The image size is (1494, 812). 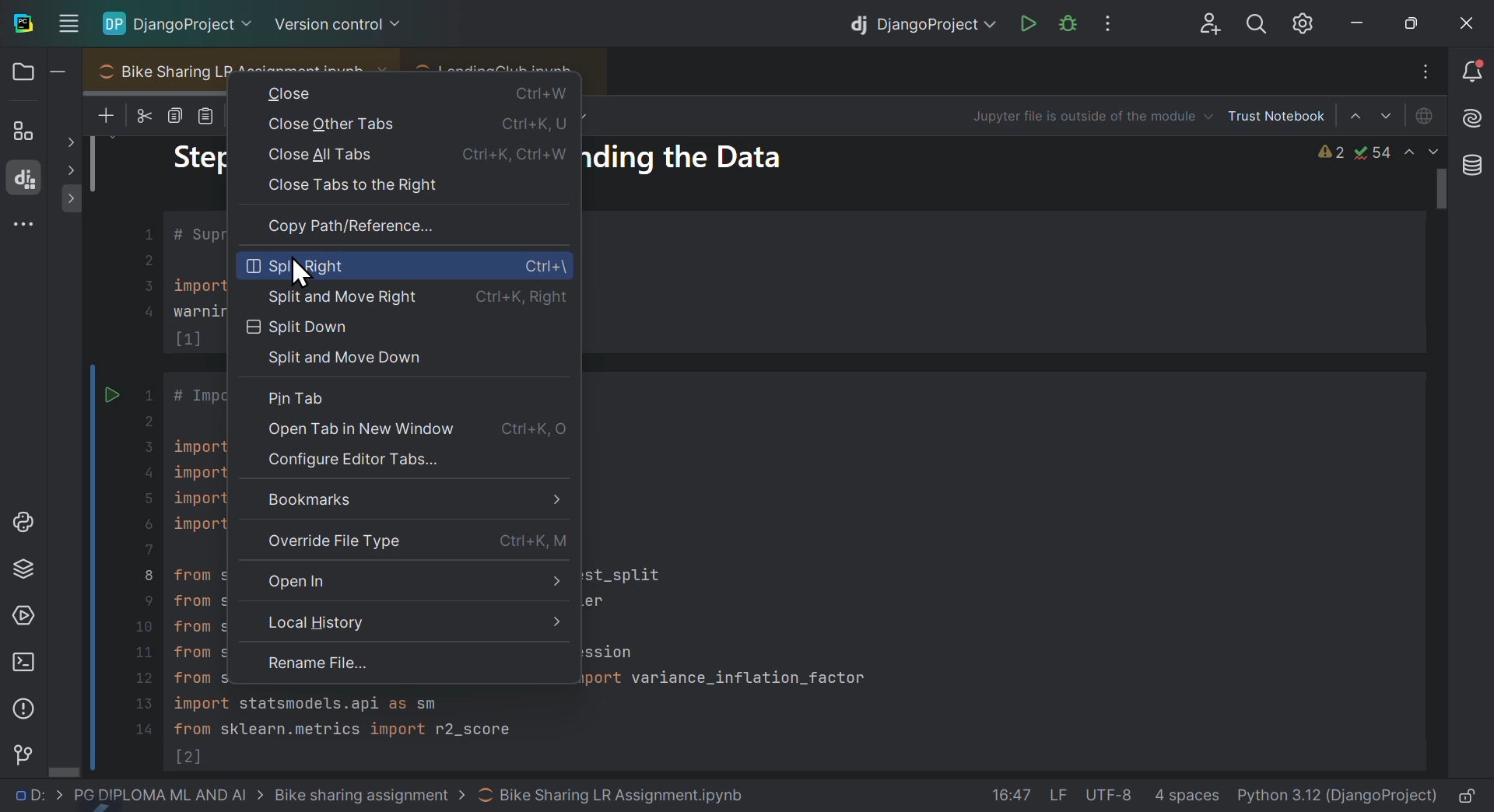 I want to click on Version control, so click(x=343, y=19).